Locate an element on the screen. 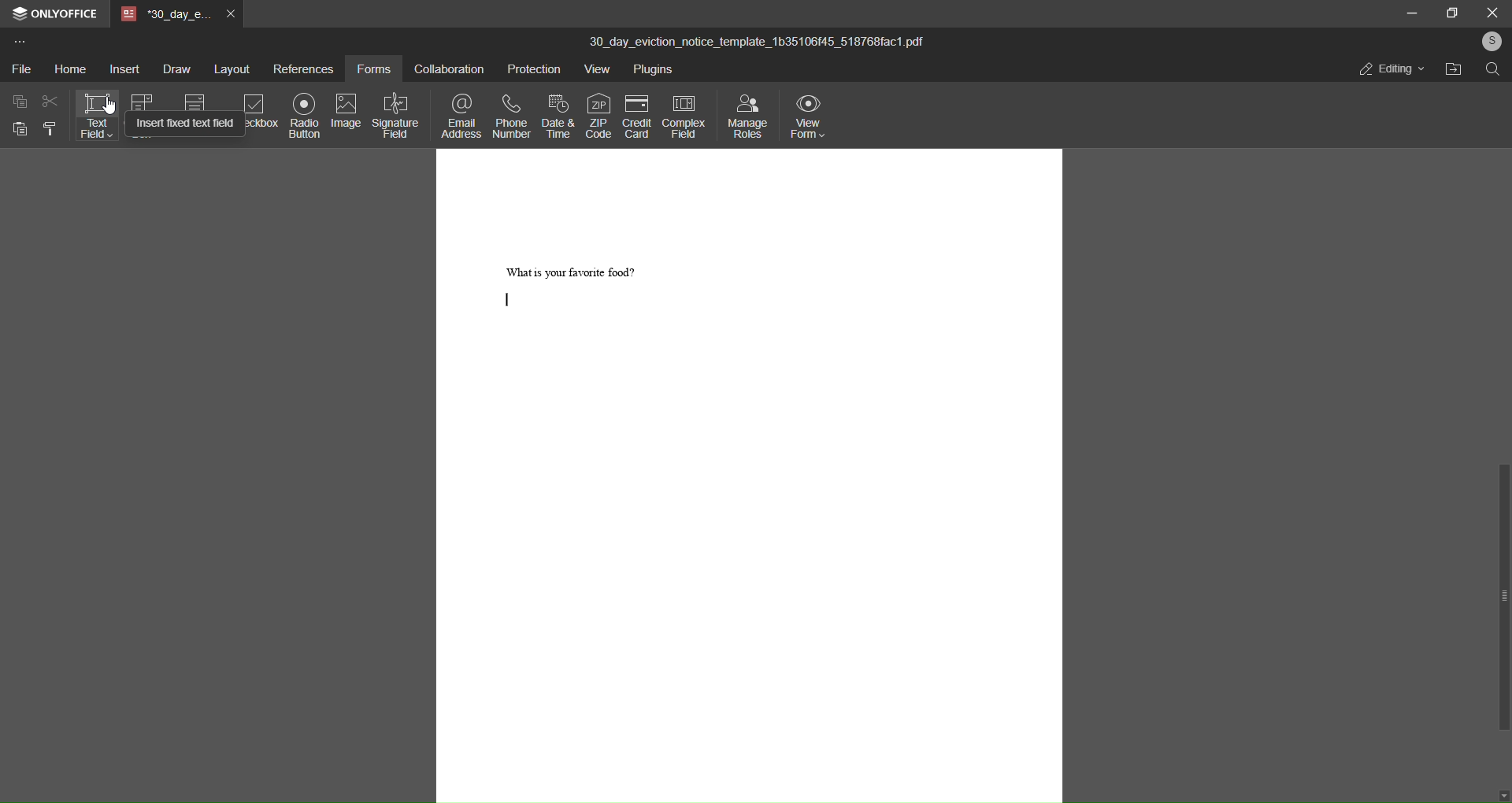  logo is located at coordinates (20, 16).